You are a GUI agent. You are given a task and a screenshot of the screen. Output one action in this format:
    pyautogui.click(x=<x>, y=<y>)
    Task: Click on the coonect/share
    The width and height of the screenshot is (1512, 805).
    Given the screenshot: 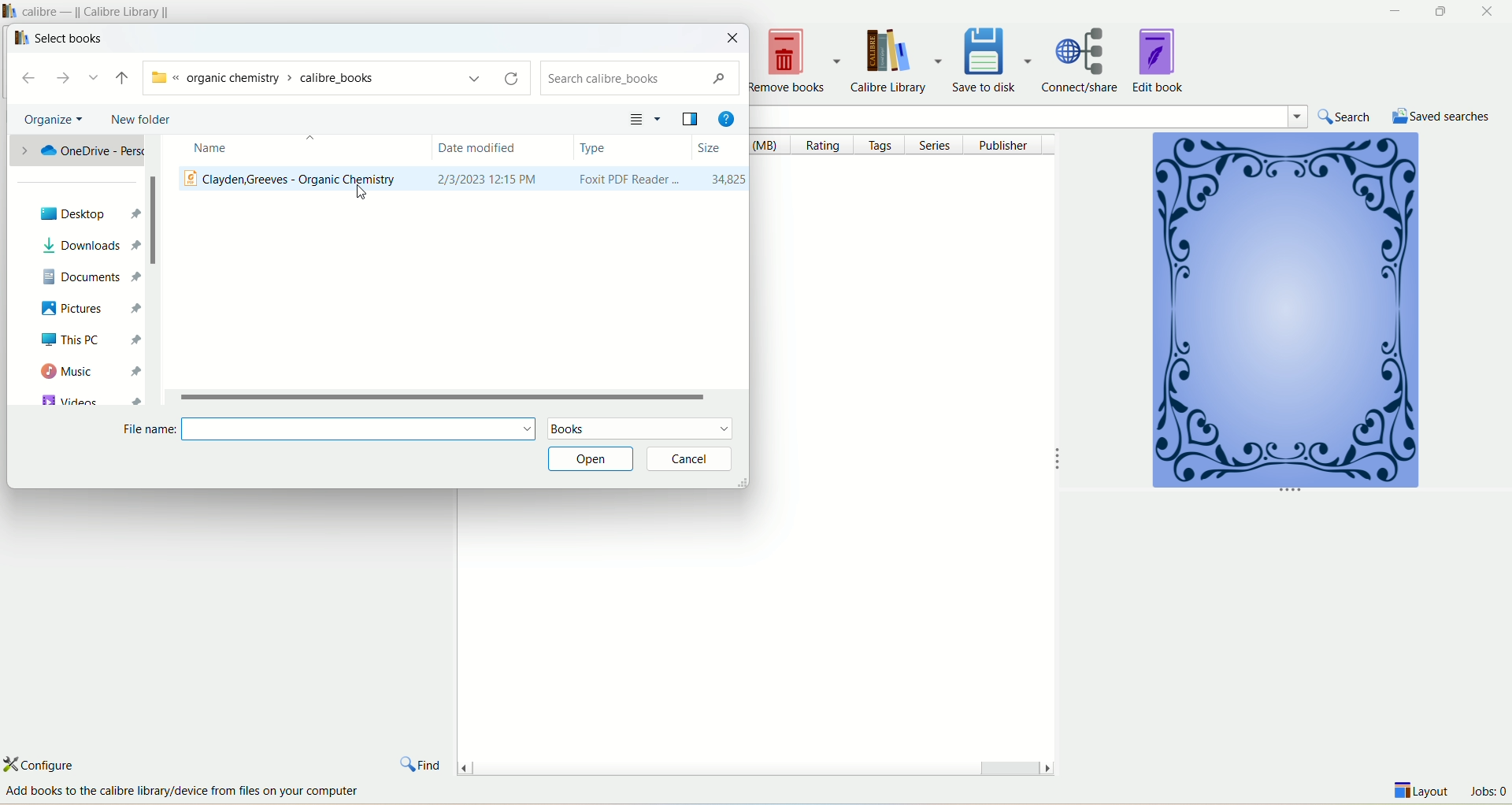 What is the action you would take?
    pyautogui.click(x=1085, y=58)
    